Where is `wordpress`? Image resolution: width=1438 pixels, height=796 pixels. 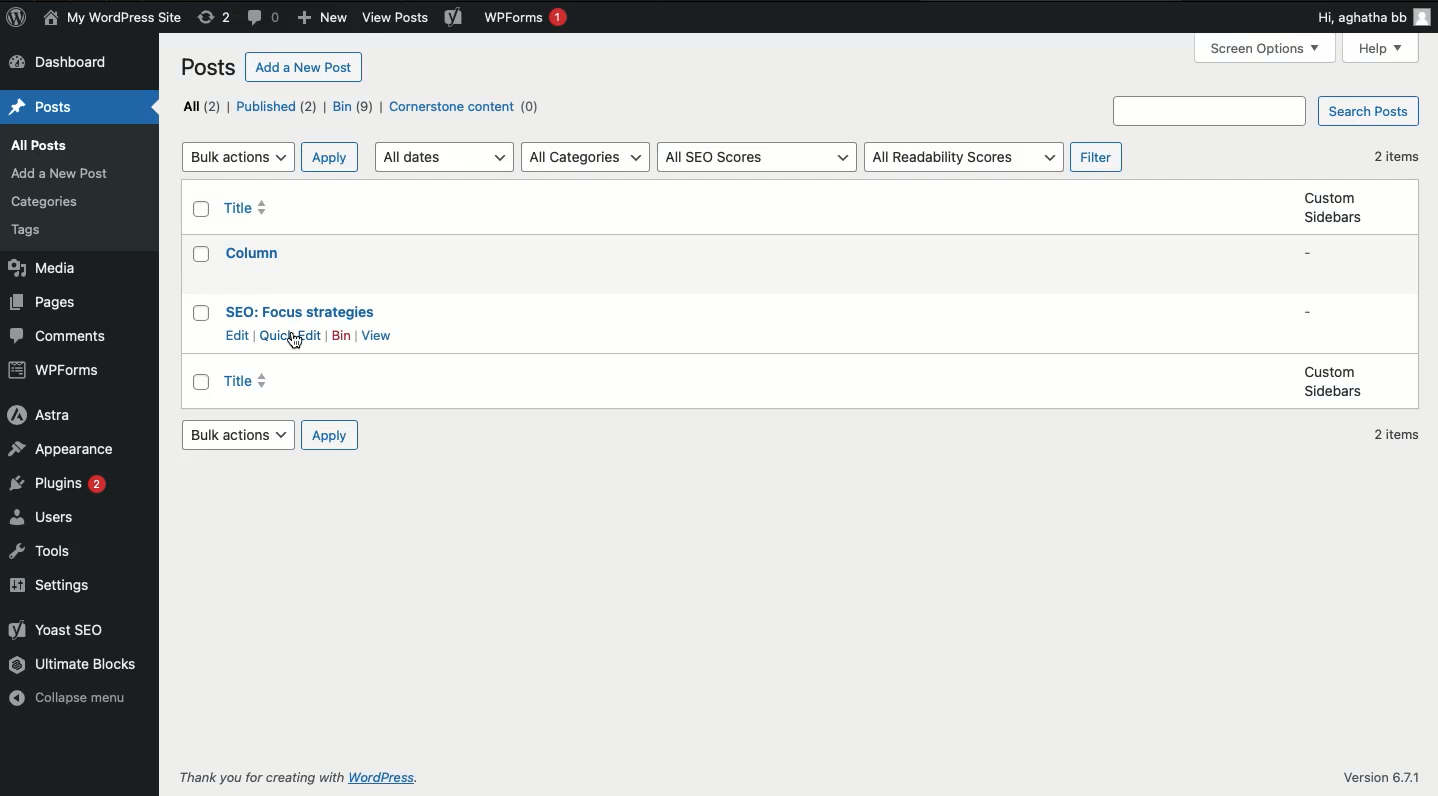
wordpress is located at coordinates (386, 778).